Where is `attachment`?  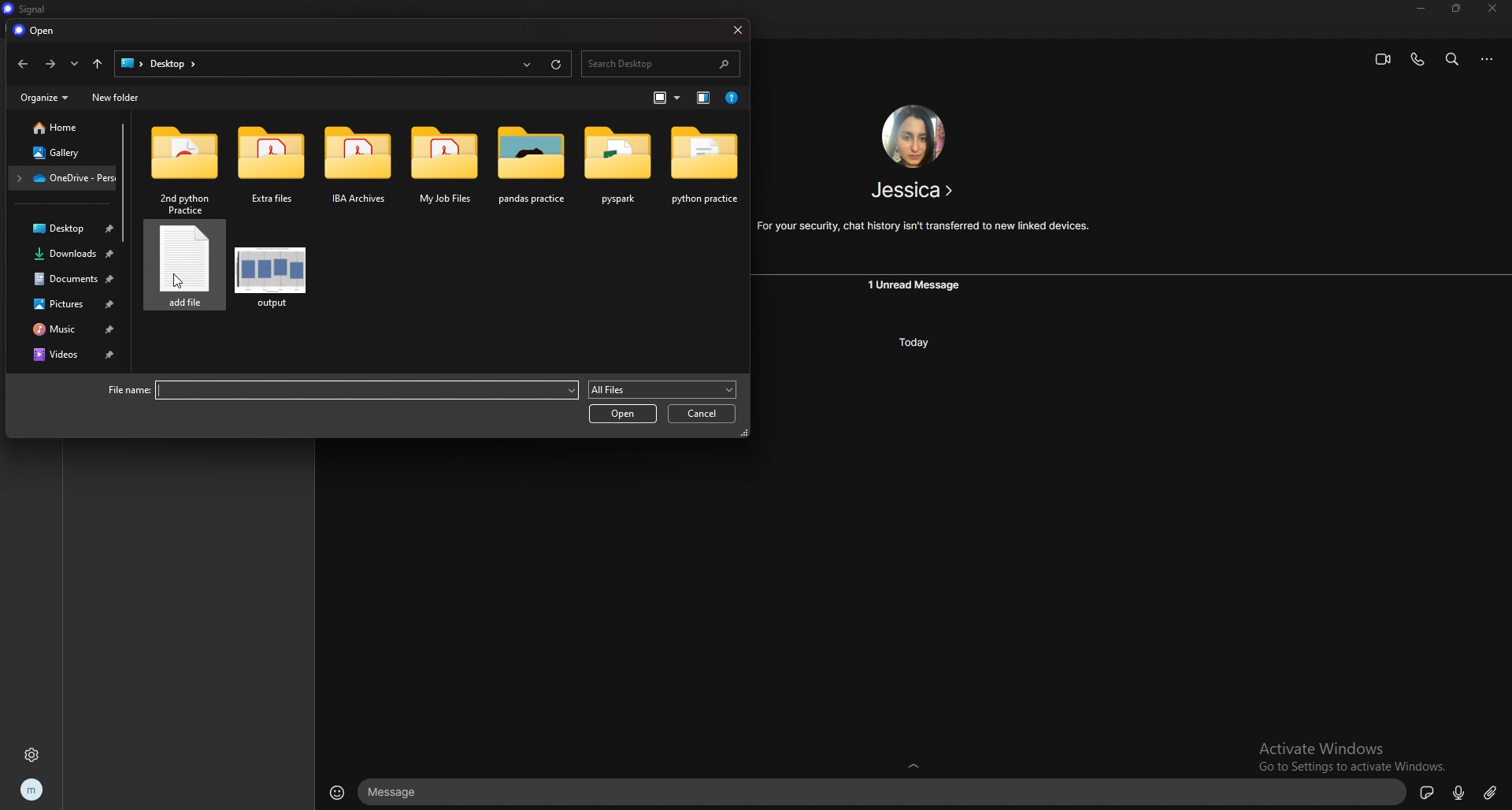 attachment is located at coordinates (1490, 793).